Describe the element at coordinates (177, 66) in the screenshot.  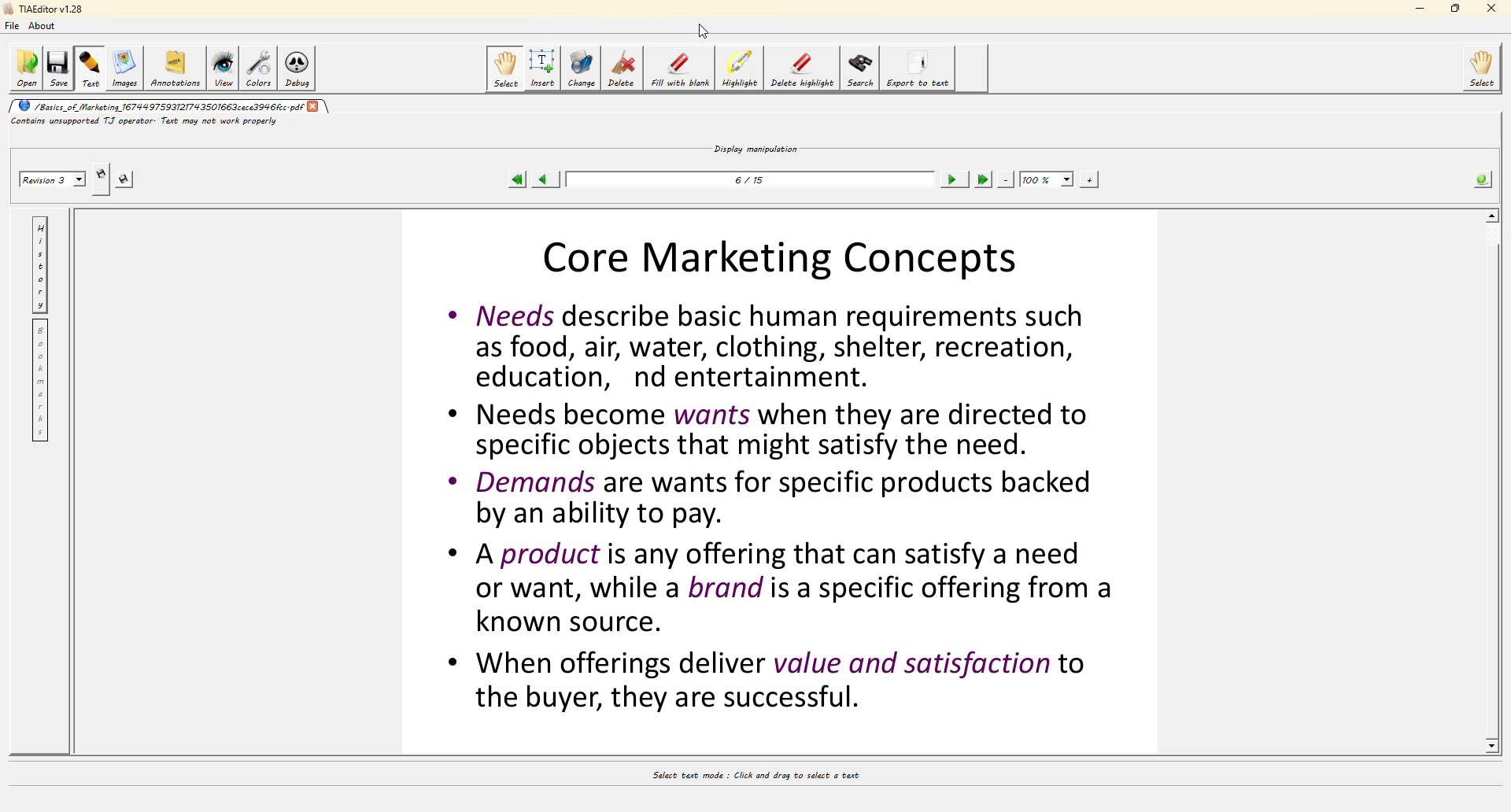
I see `annotations` at that location.